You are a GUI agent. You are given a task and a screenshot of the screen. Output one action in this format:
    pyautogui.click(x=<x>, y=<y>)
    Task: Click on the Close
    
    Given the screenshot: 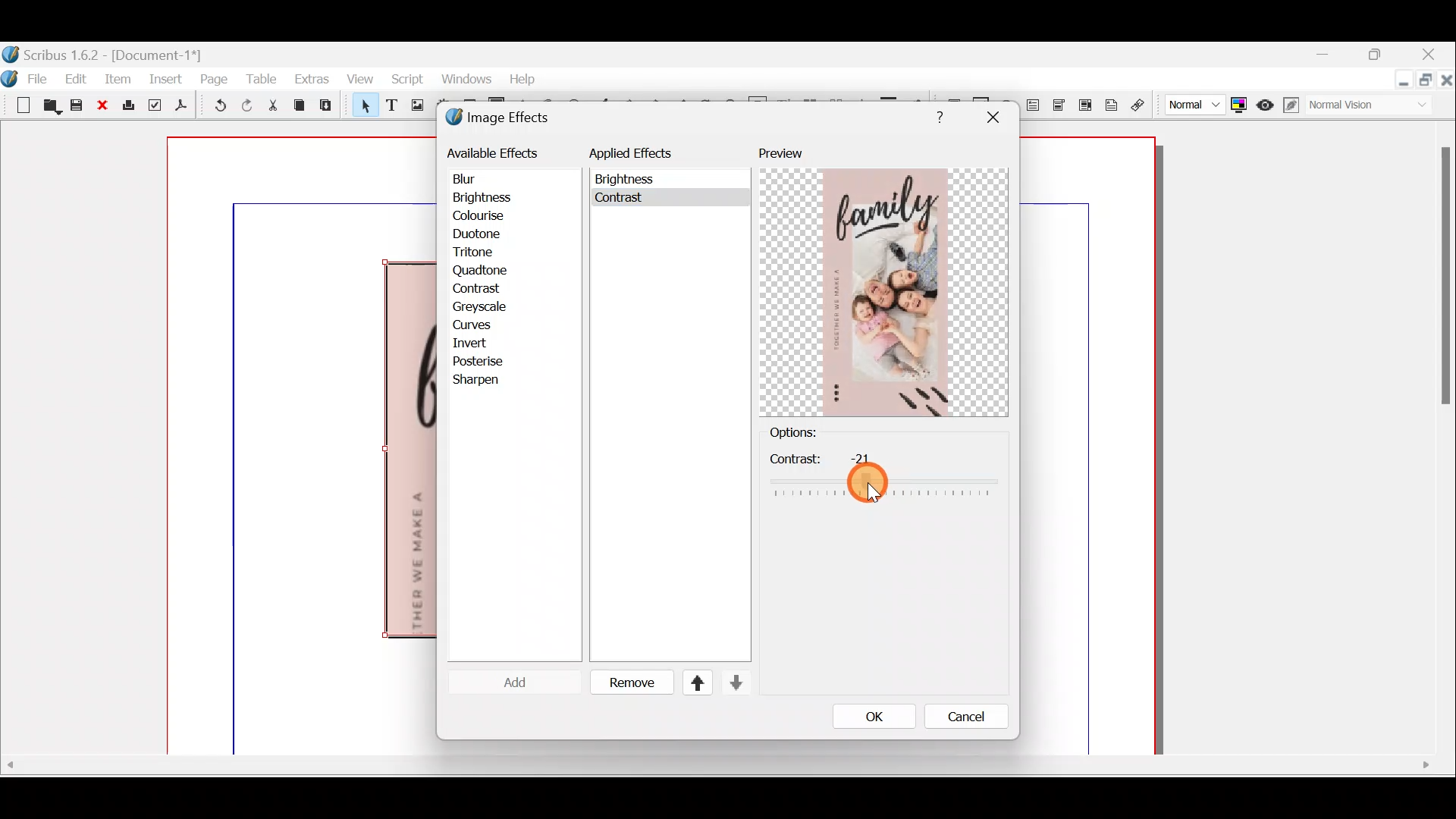 What is the action you would take?
    pyautogui.click(x=103, y=106)
    